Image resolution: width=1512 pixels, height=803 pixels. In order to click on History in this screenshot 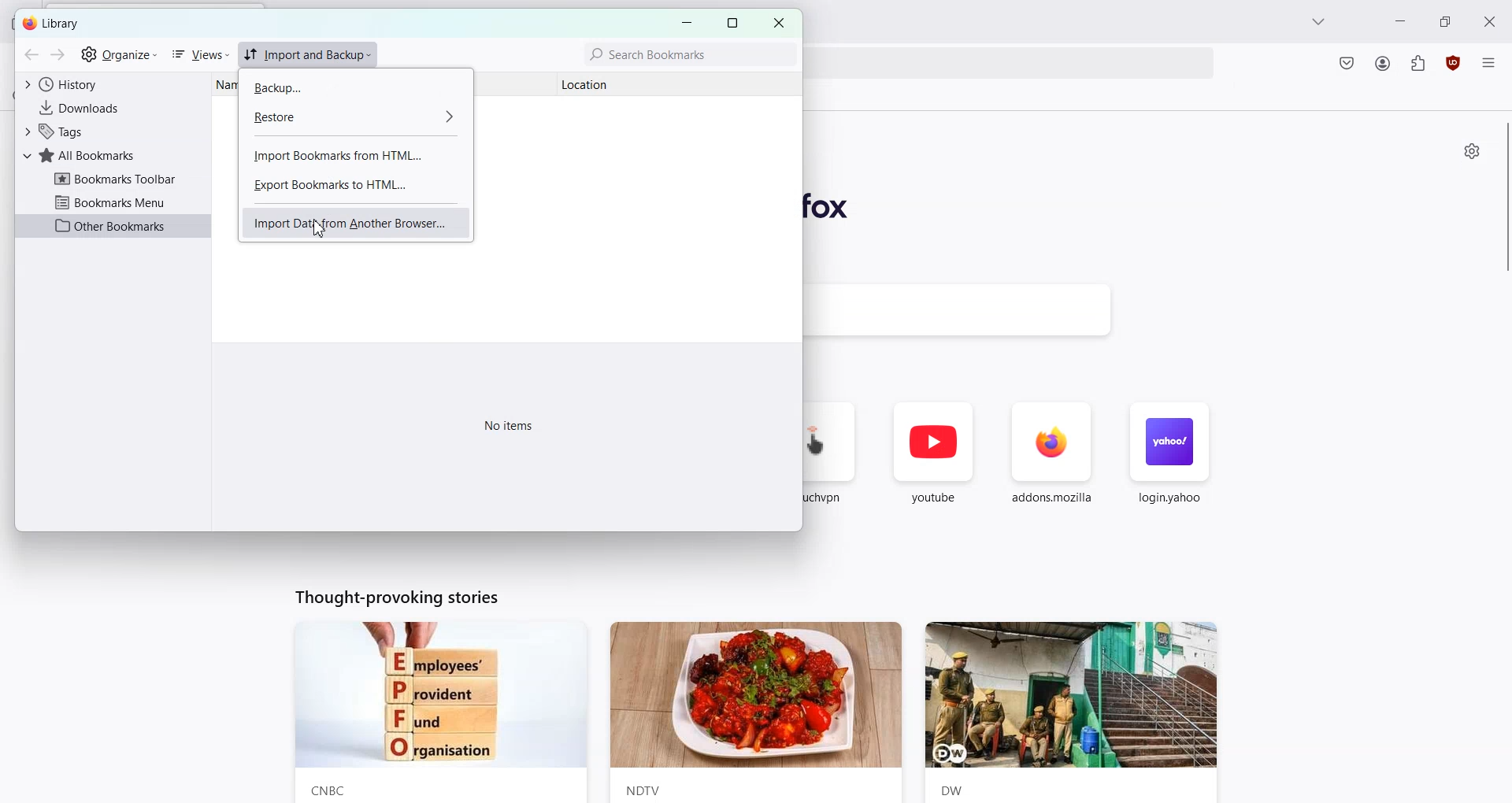, I will do `click(110, 84)`.